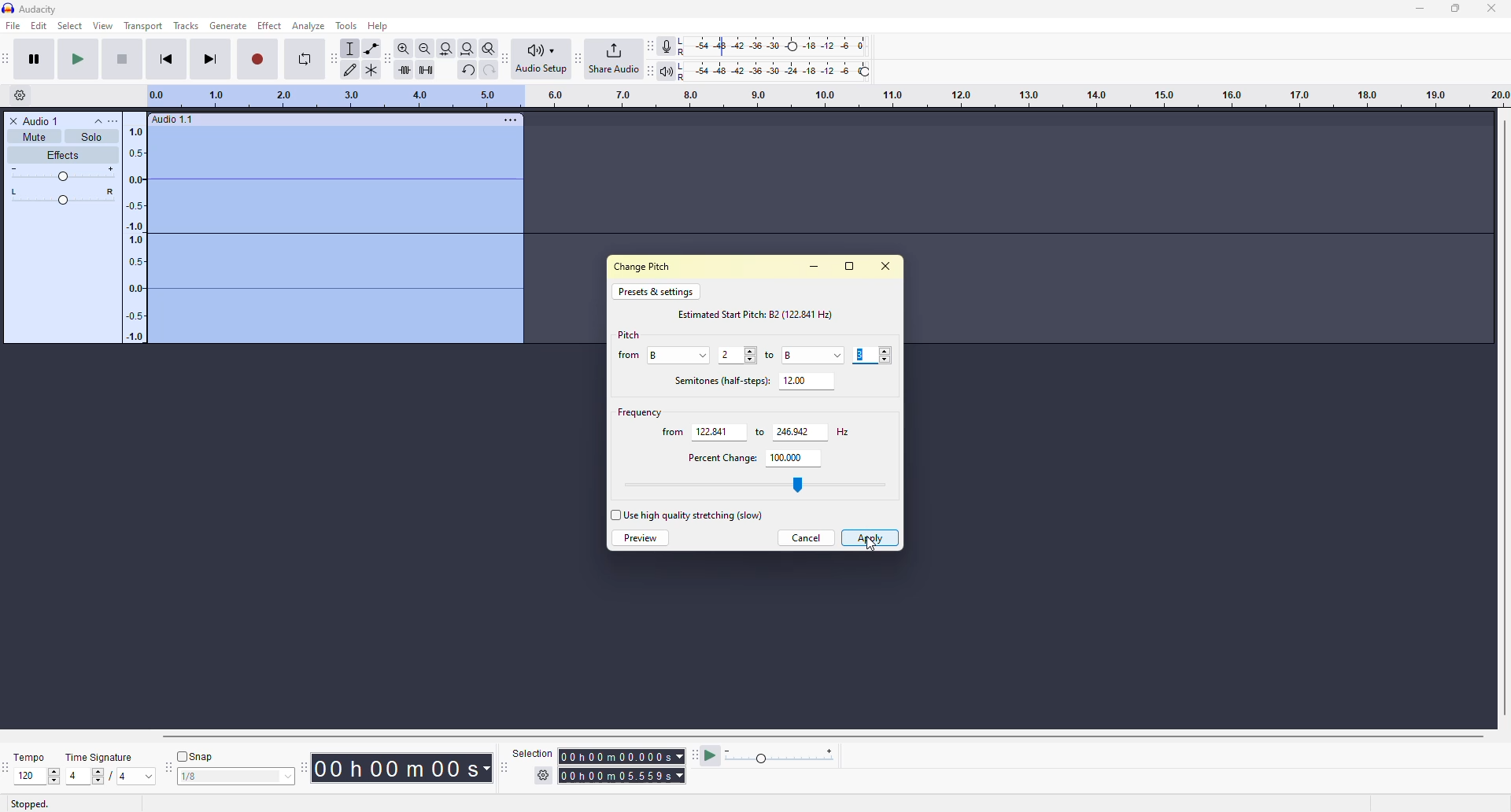 This screenshot has width=1511, height=812. I want to click on transport, so click(144, 25).